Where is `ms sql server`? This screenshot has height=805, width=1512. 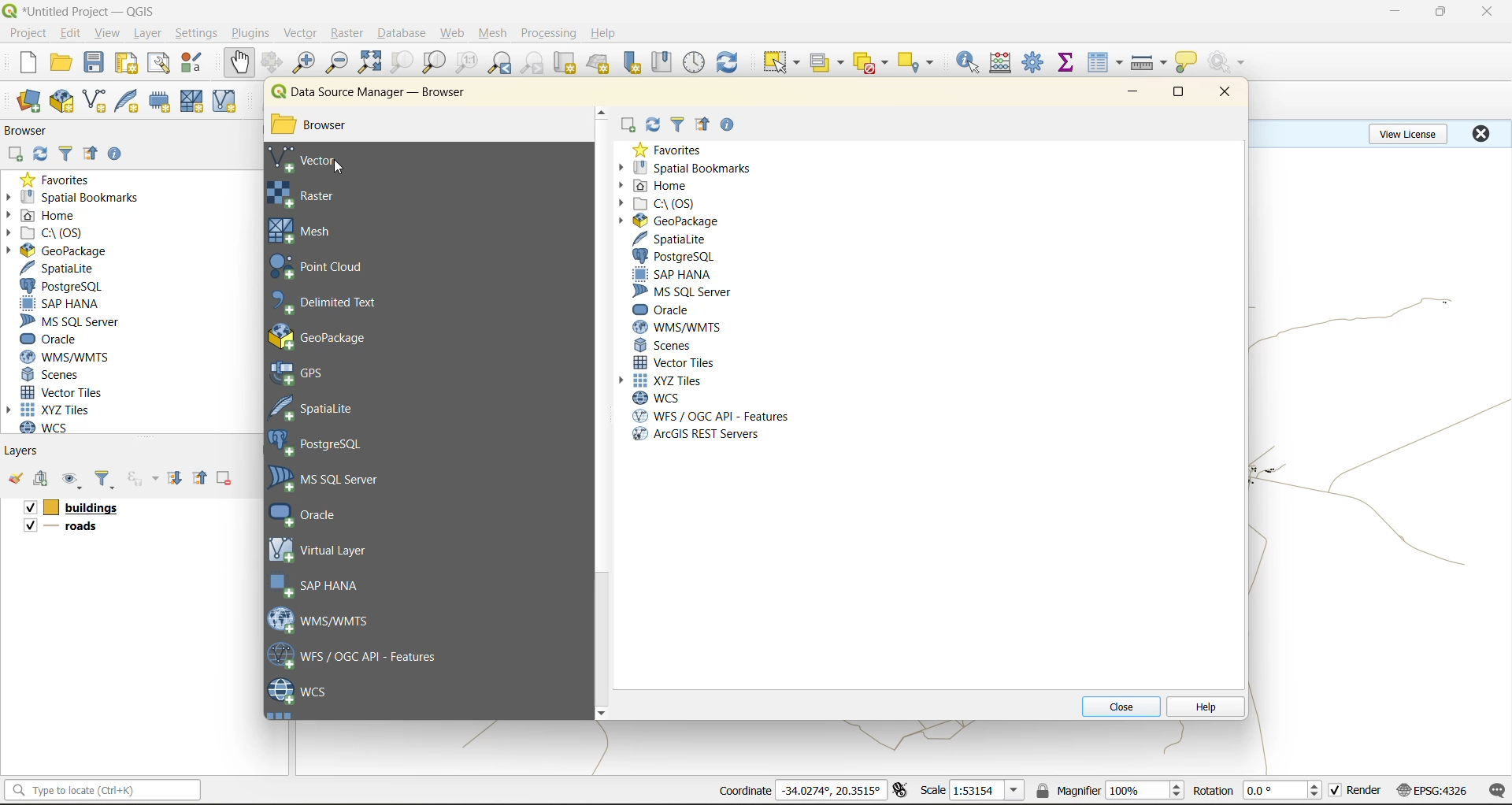
ms sql server is located at coordinates (685, 291).